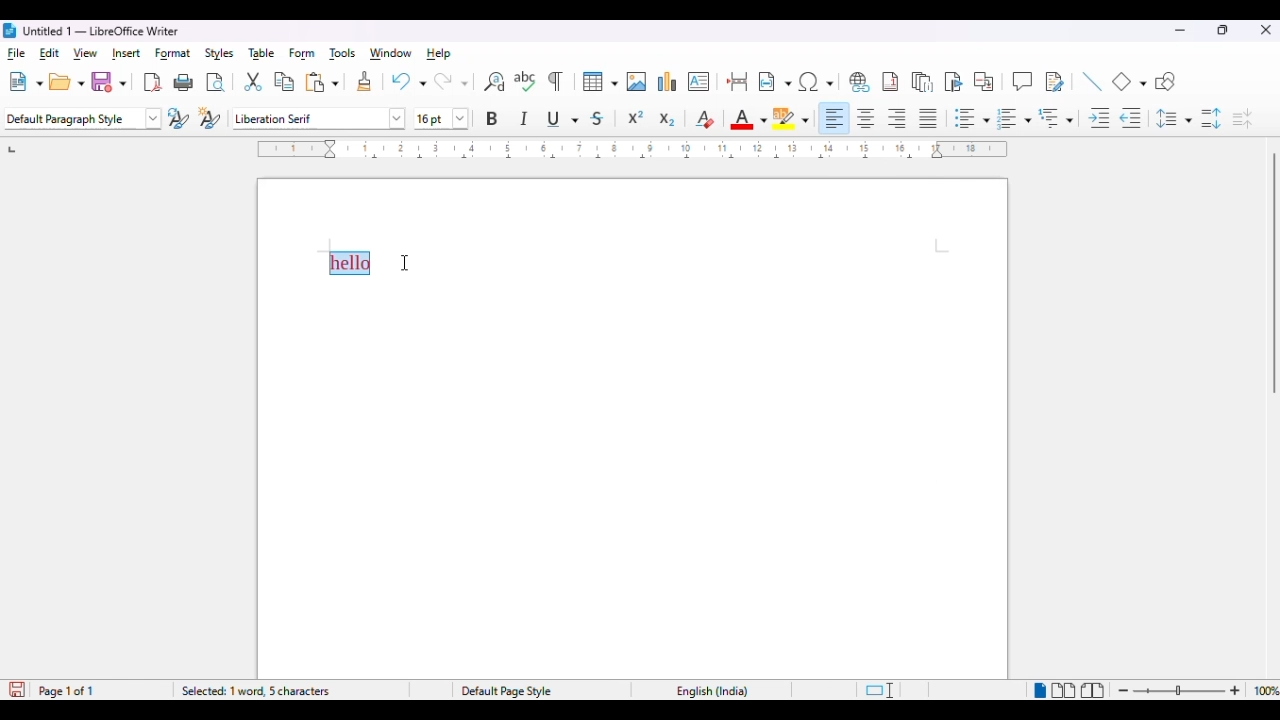  What do you see at coordinates (220, 54) in the screenshot?
I see `styles` at bounding box center [220, 54].